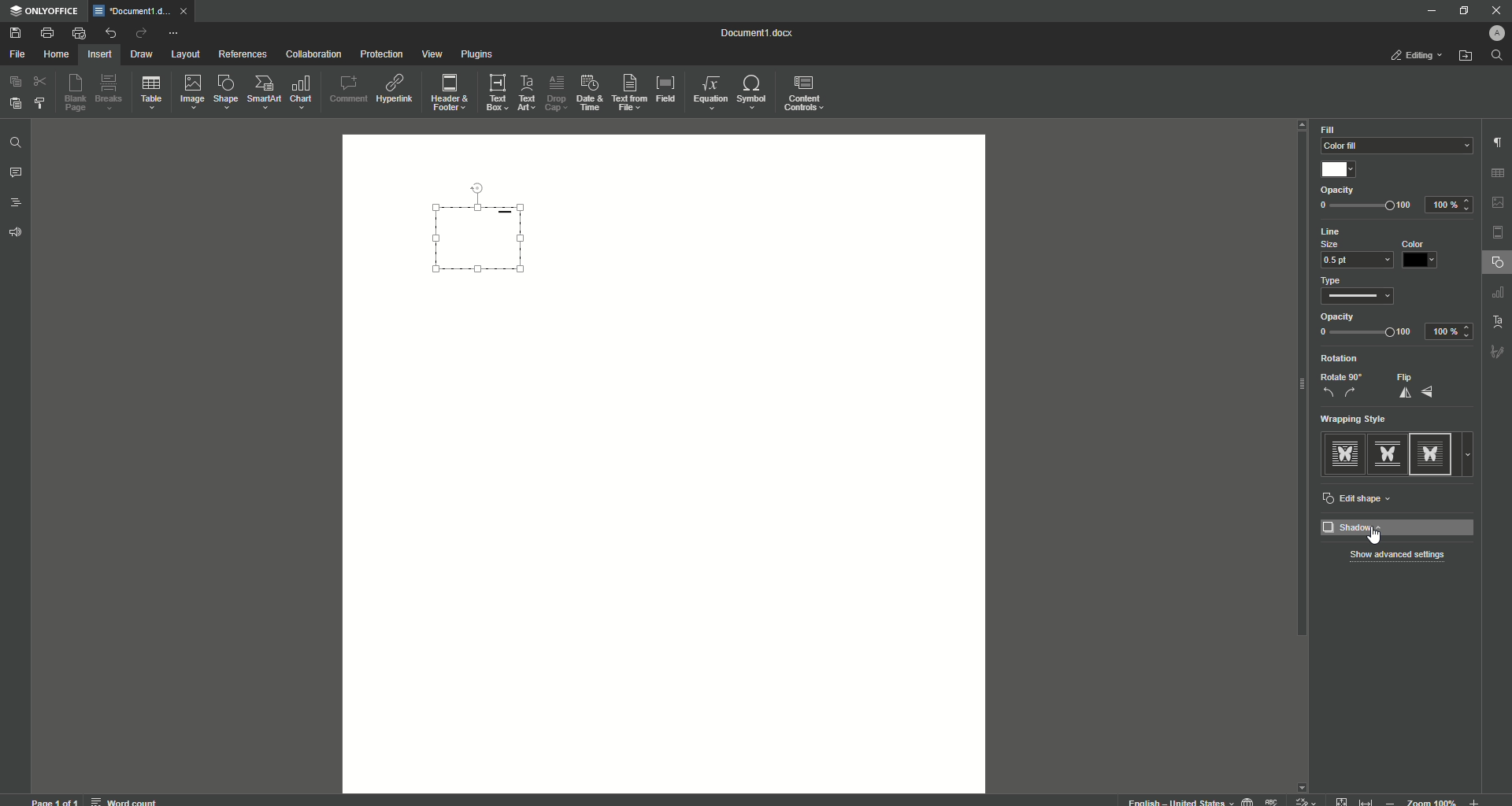  What do you see at coordinates (766, 35) in the screenshot?
I see `Document 1` at bounding box center [766, 35].